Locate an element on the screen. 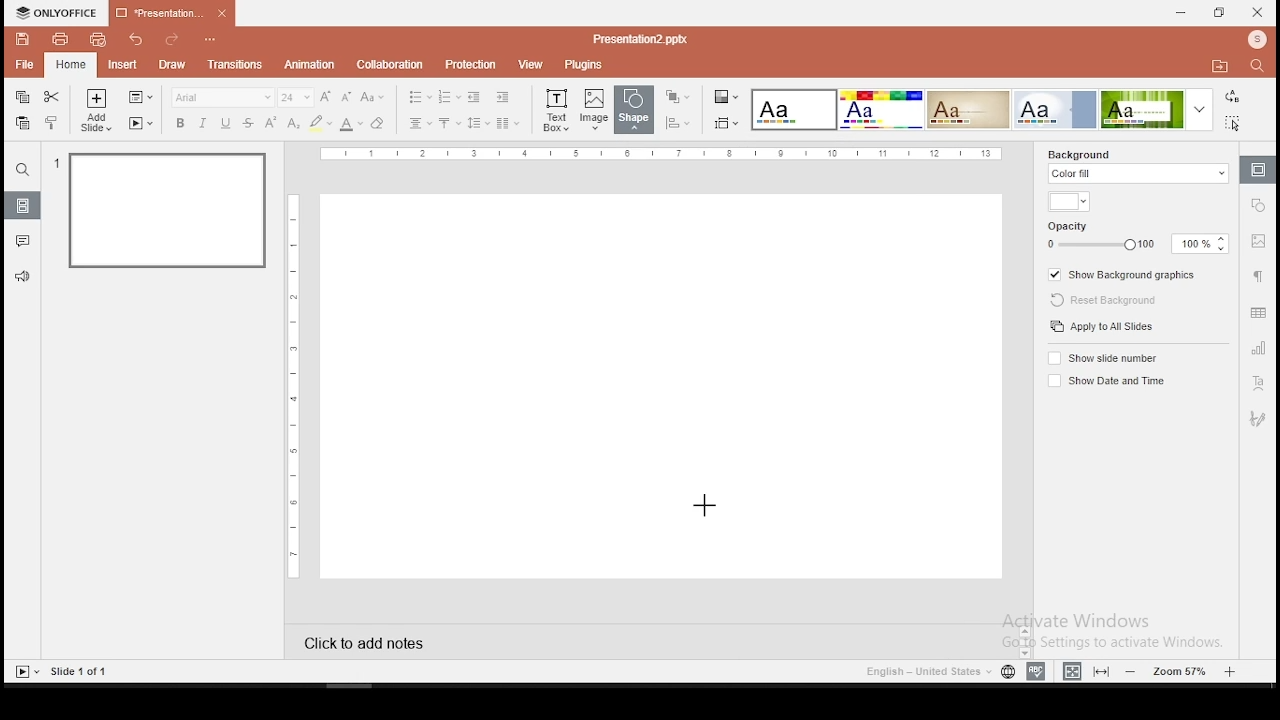 Image resolution: width=1280 pixels, height=720 pixels. theme is located at coordinates (968, 110).